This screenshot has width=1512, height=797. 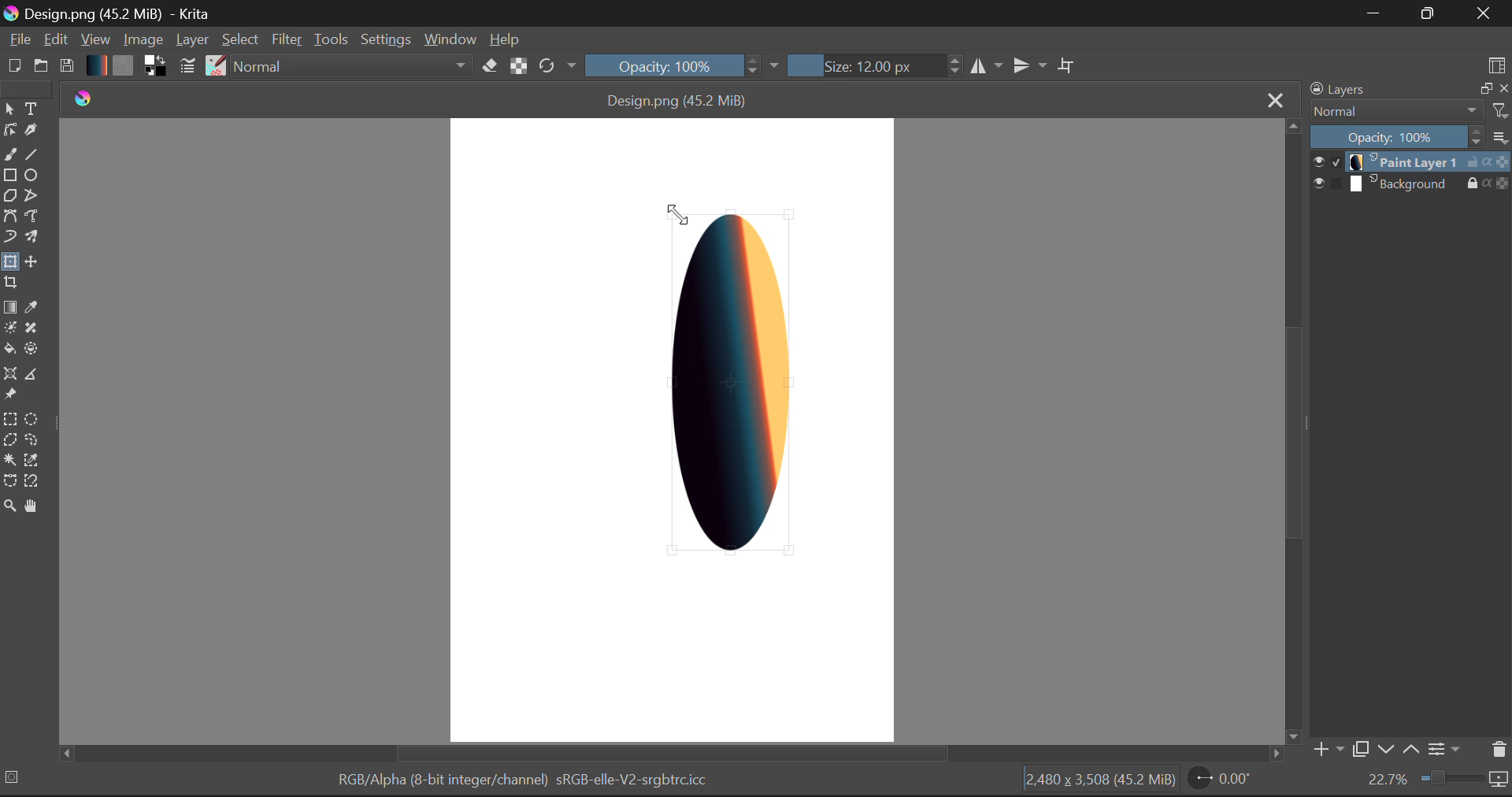 What do you see at coordinates (142, 39) in the screenshot?
I see `Image` at bounding box center [142, 39].